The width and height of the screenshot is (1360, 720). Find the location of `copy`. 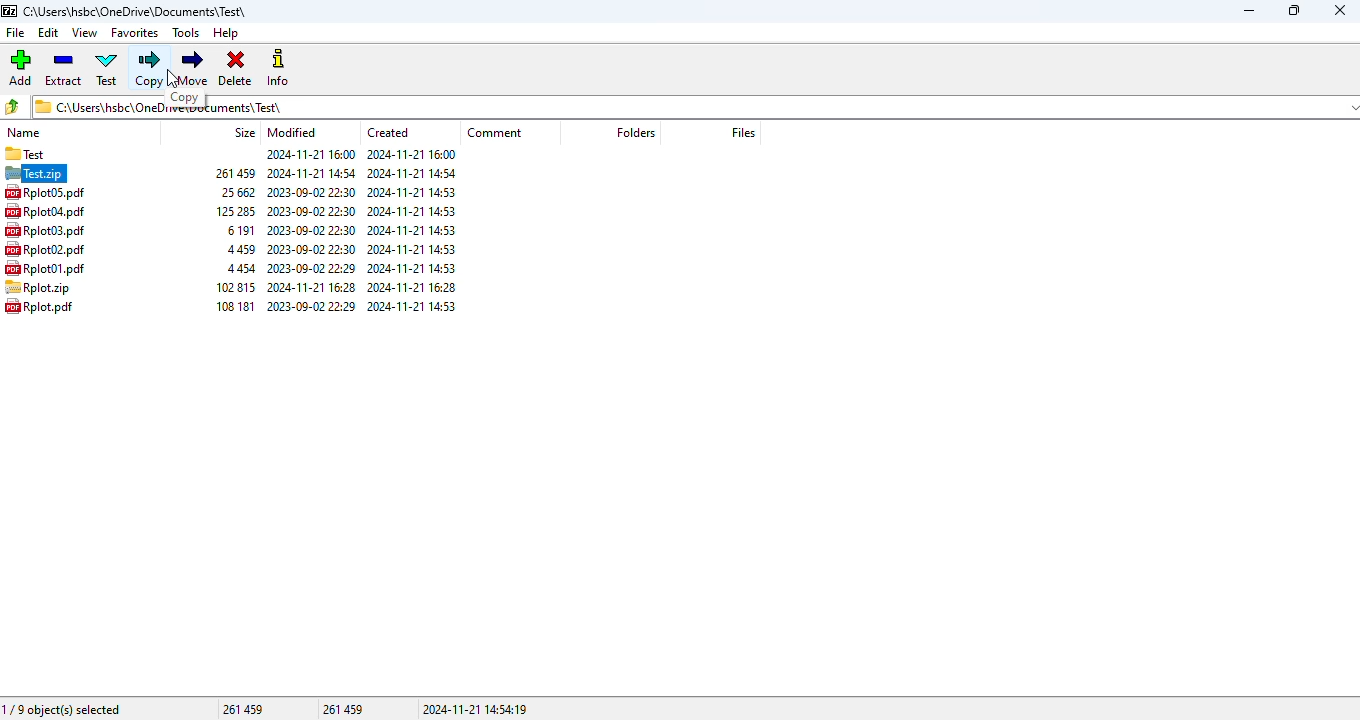

copy is located at coordinates (186, 98).